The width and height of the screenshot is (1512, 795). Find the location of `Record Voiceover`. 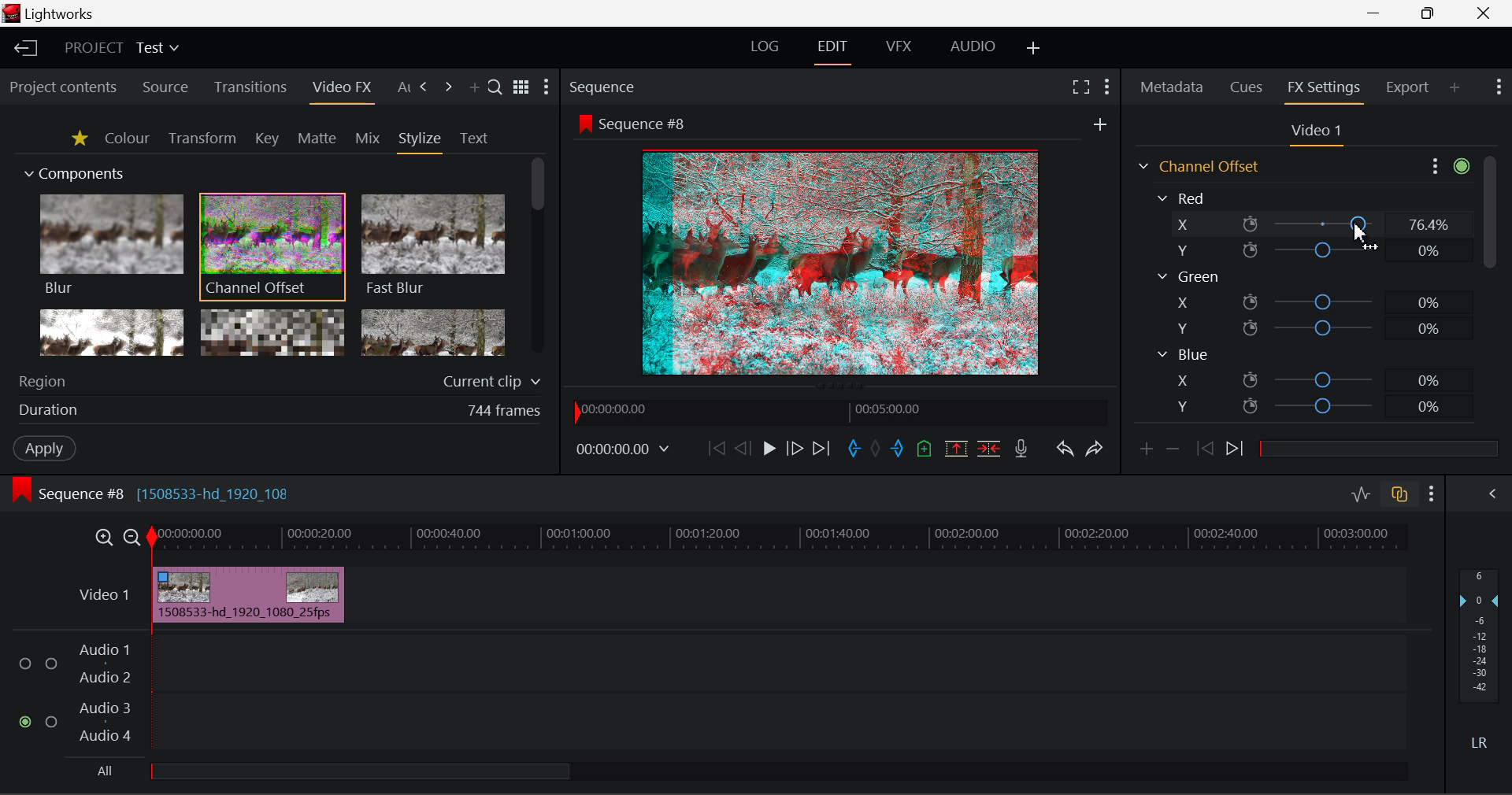

Record Voiceover is located at coordinates (1021, 450).